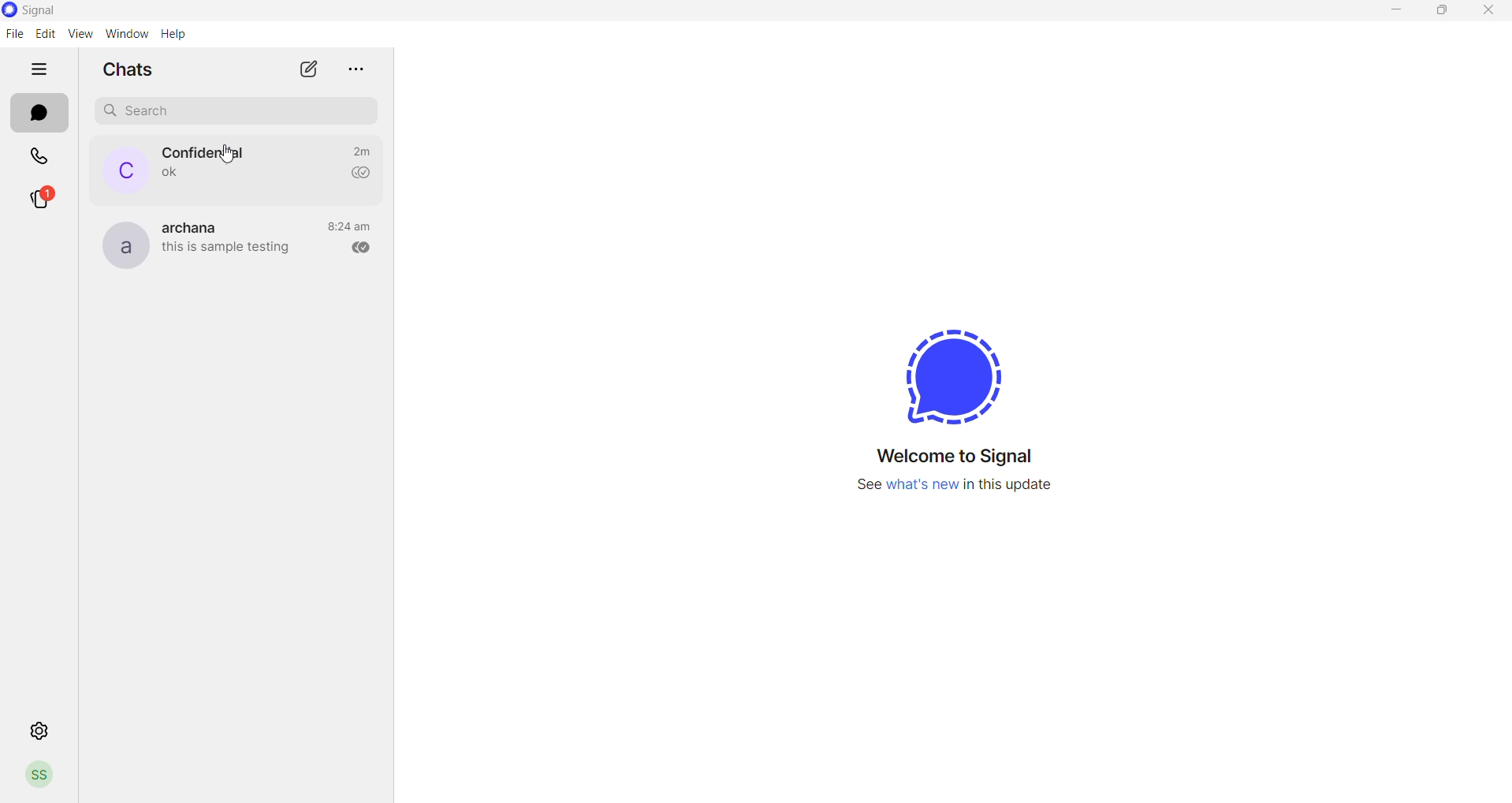 The height and width of the screenshot is (803, 1512). Describe the element at coordinates (1395, 14) in the screenshot. I see `minimize` at that location.